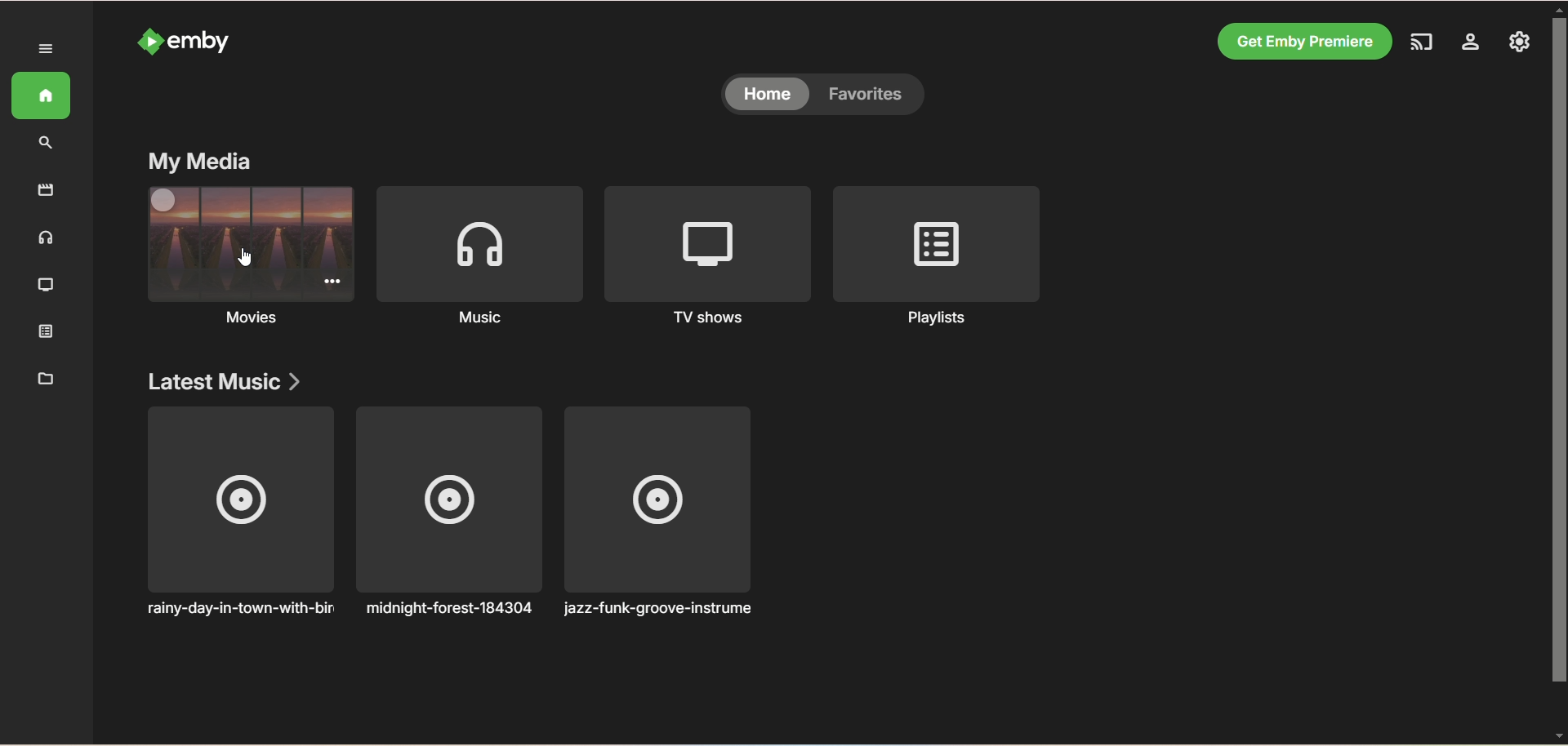 The width and height of the screenshot is (1568, 746). I want to click on home, so click(765, 96).